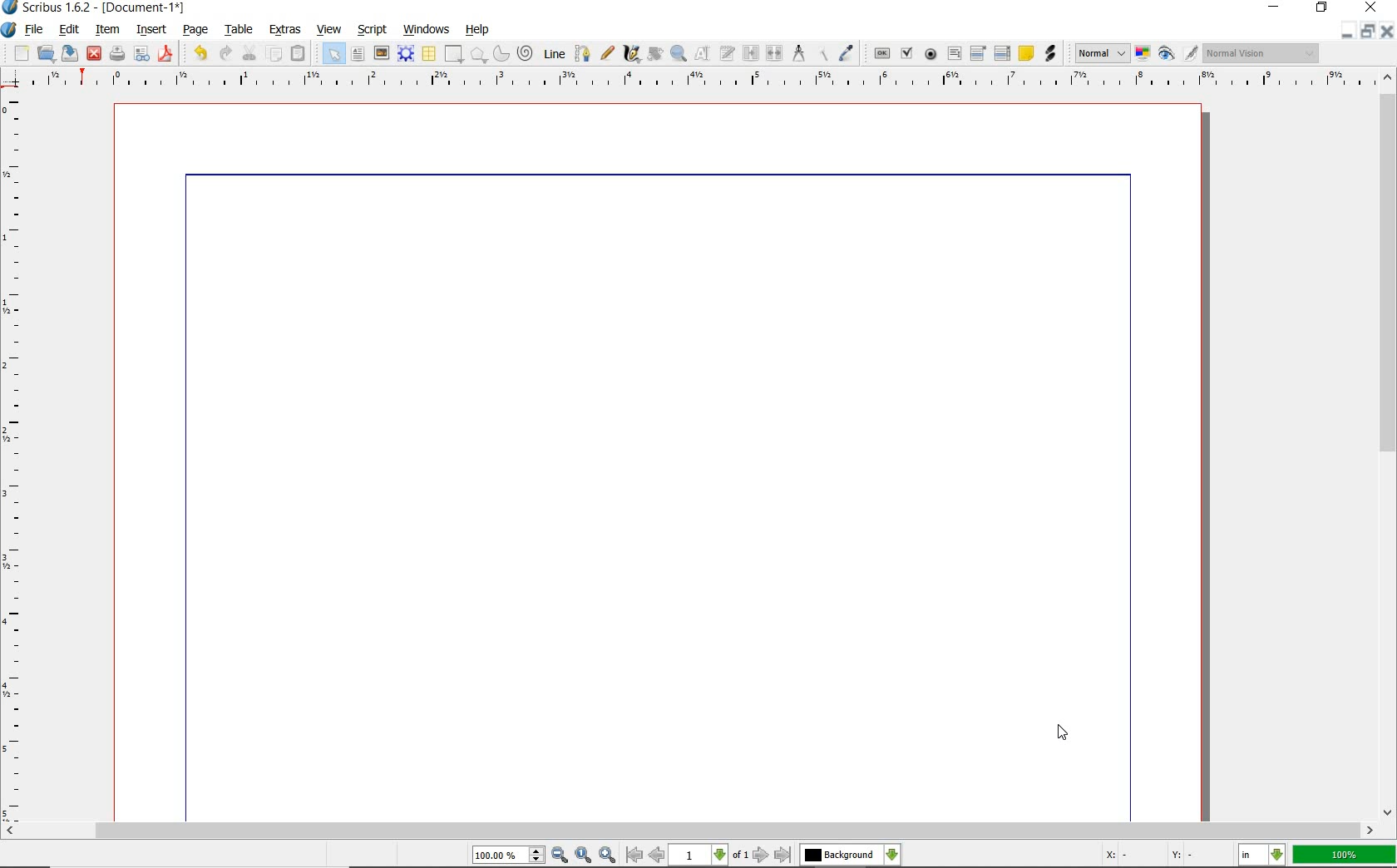 This screenshot has height=868, width=1397. Describe the element at coordinates (1025, 55) in the screenshot. I see `text annotation` at that location.